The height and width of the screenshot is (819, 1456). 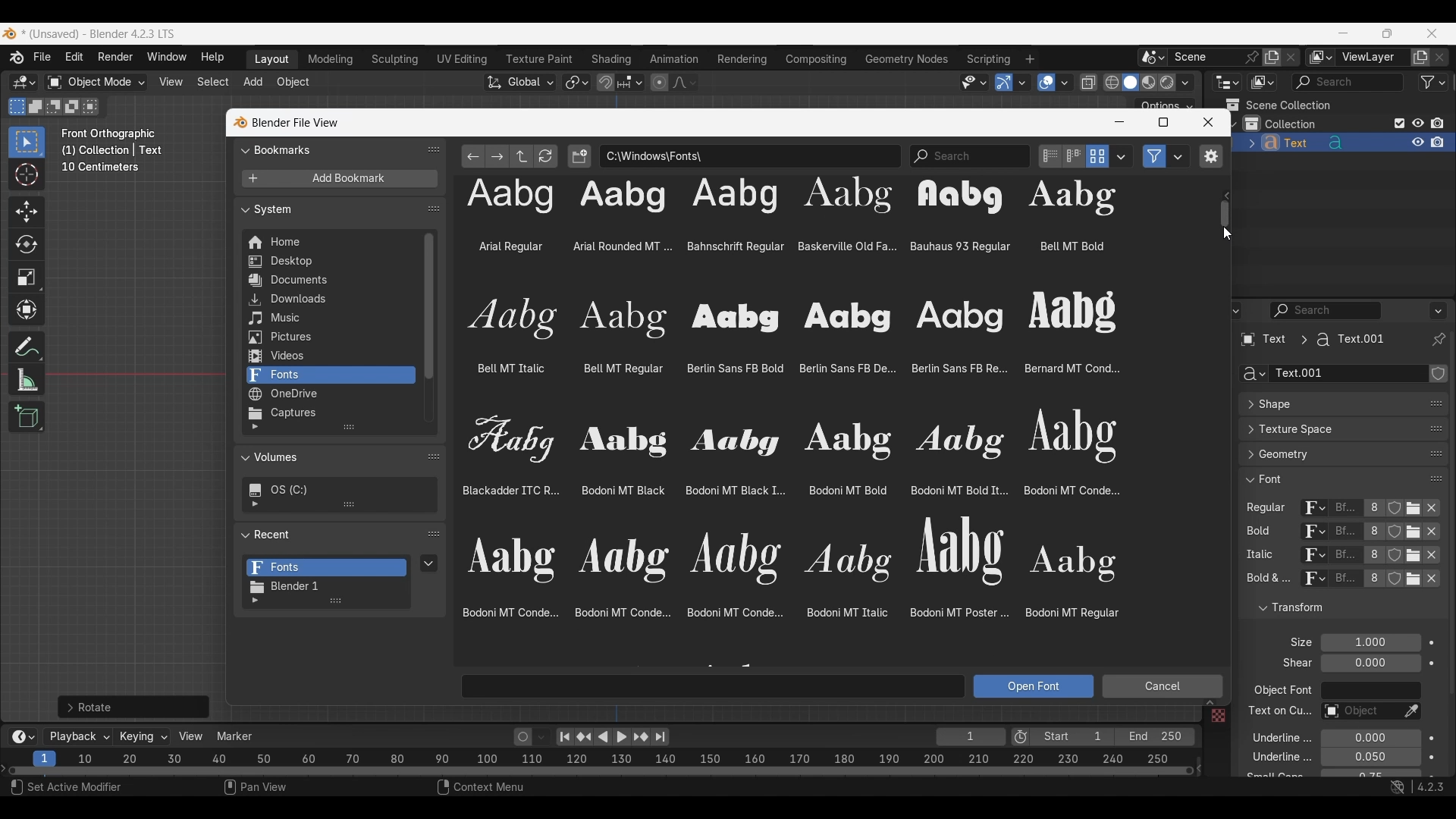 I want to click on Sets the object interaction mode, so click(x=96, y=83).